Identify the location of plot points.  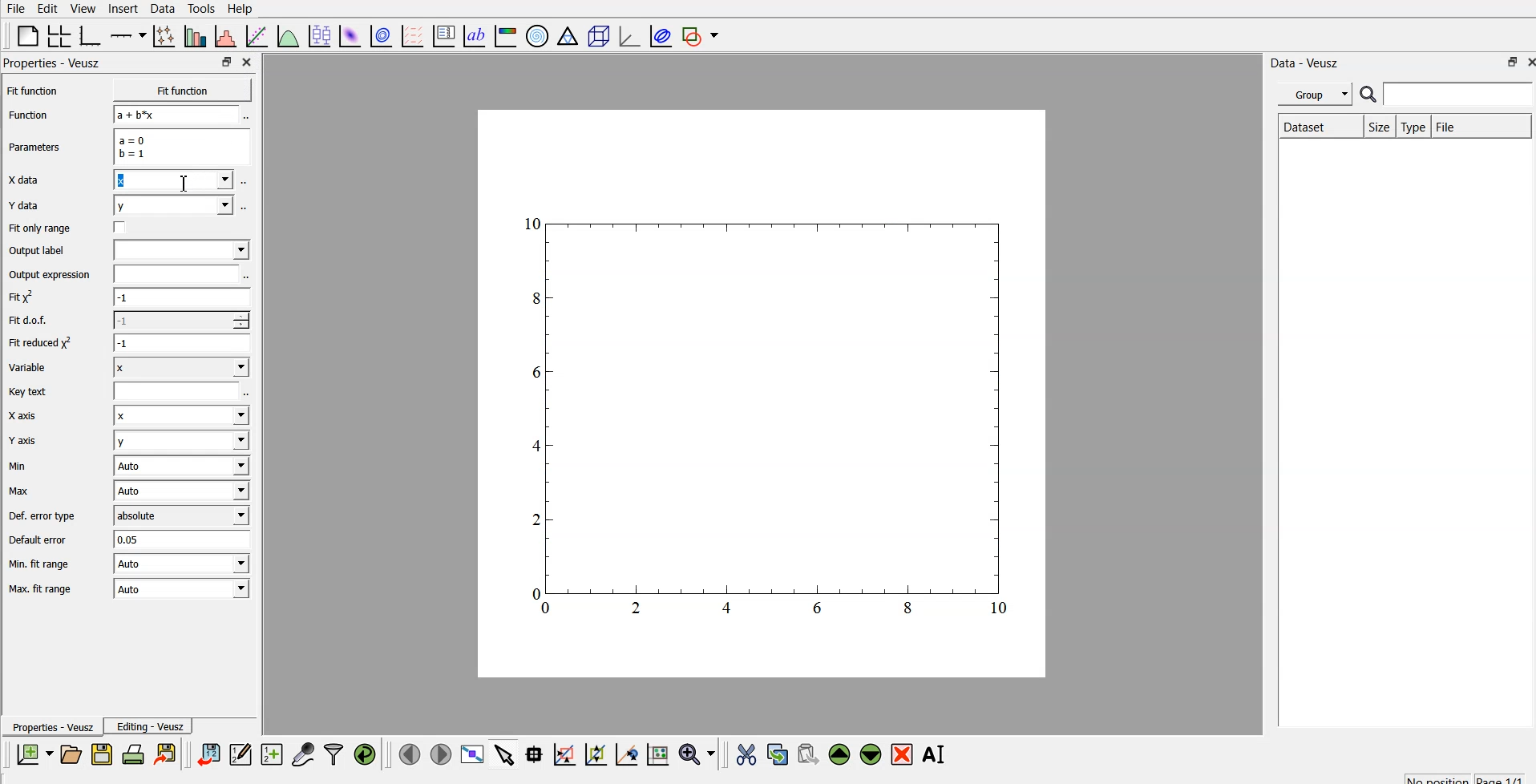
(164, 36).